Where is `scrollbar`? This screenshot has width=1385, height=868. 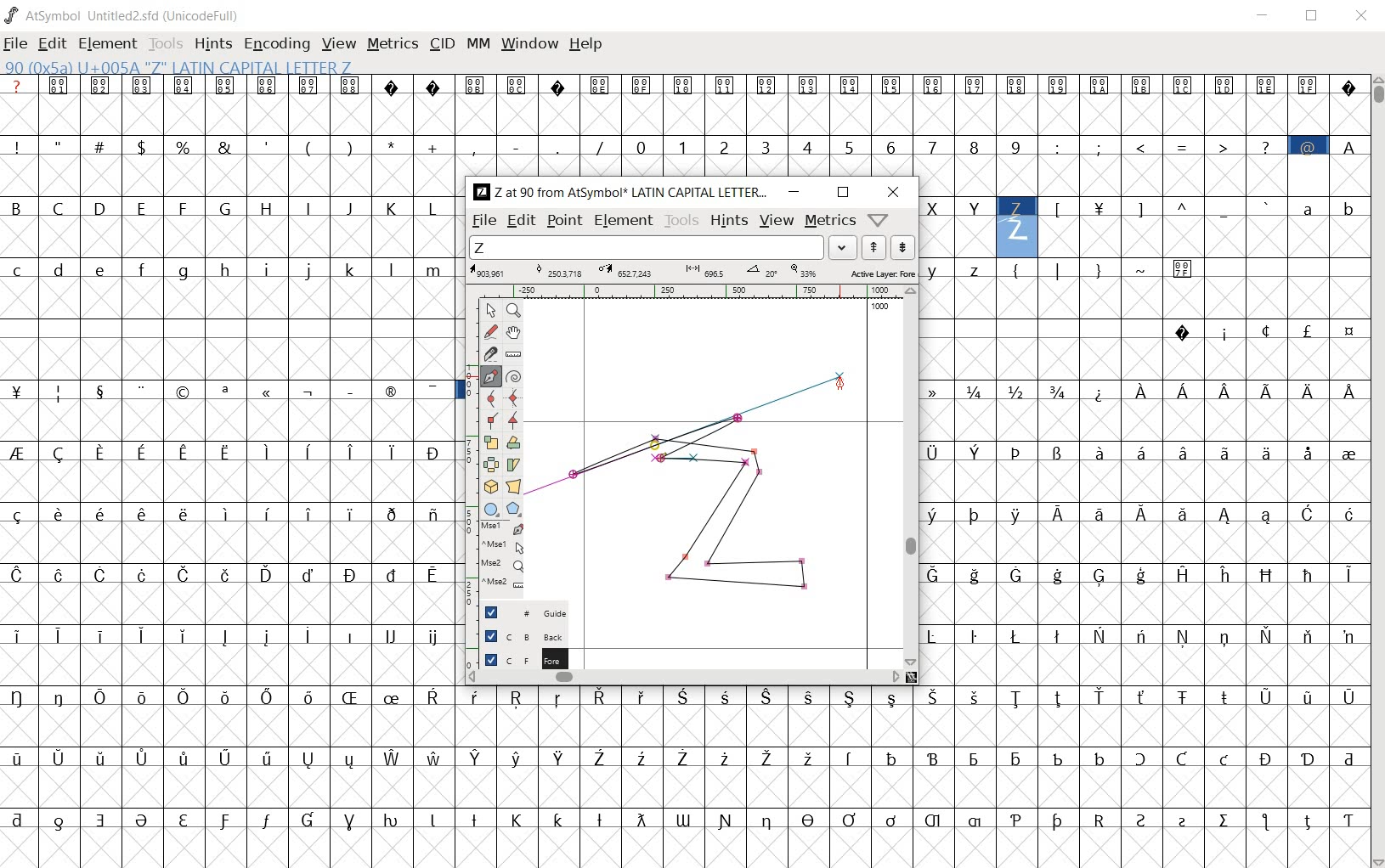 scrollbar is located at coordinates (1377, 470).